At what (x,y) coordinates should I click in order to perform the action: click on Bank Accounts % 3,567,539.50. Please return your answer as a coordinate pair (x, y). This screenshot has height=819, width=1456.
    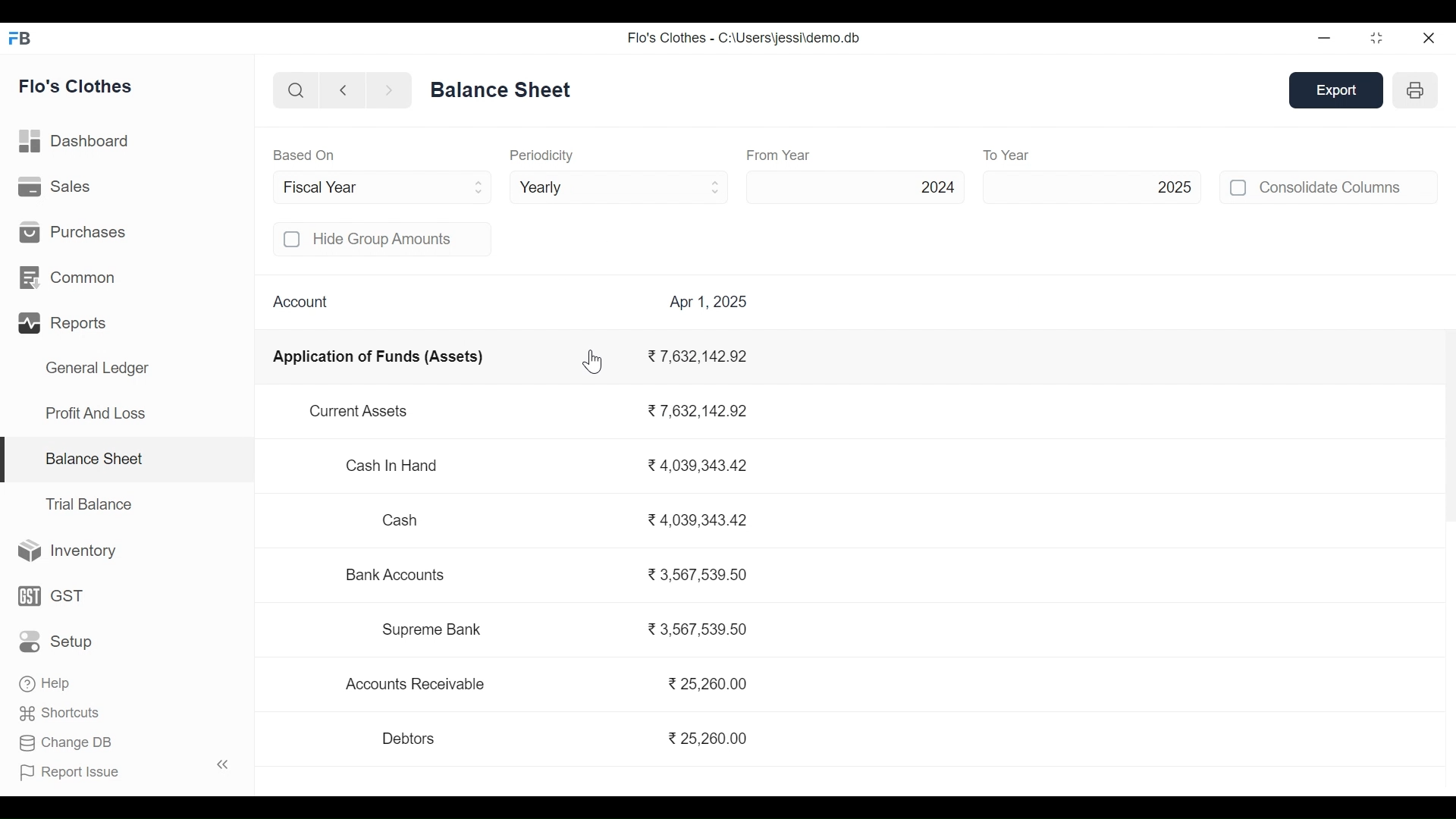
    Looking at the image, I should click on (548, 578).